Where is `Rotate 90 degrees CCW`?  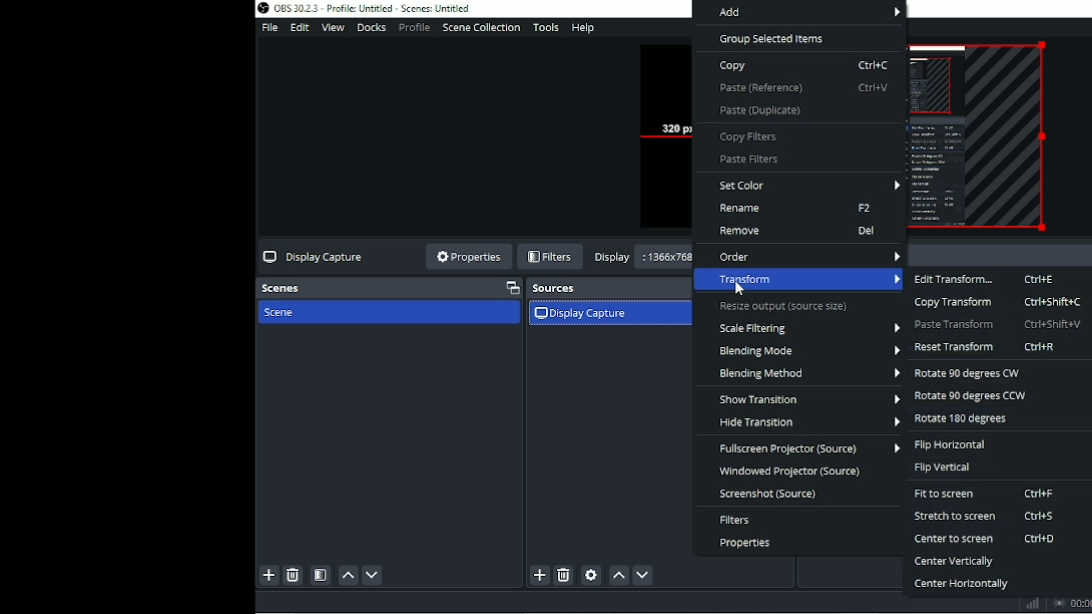 Rotate 90 degrees CCW is located at coordinates (975, 396).